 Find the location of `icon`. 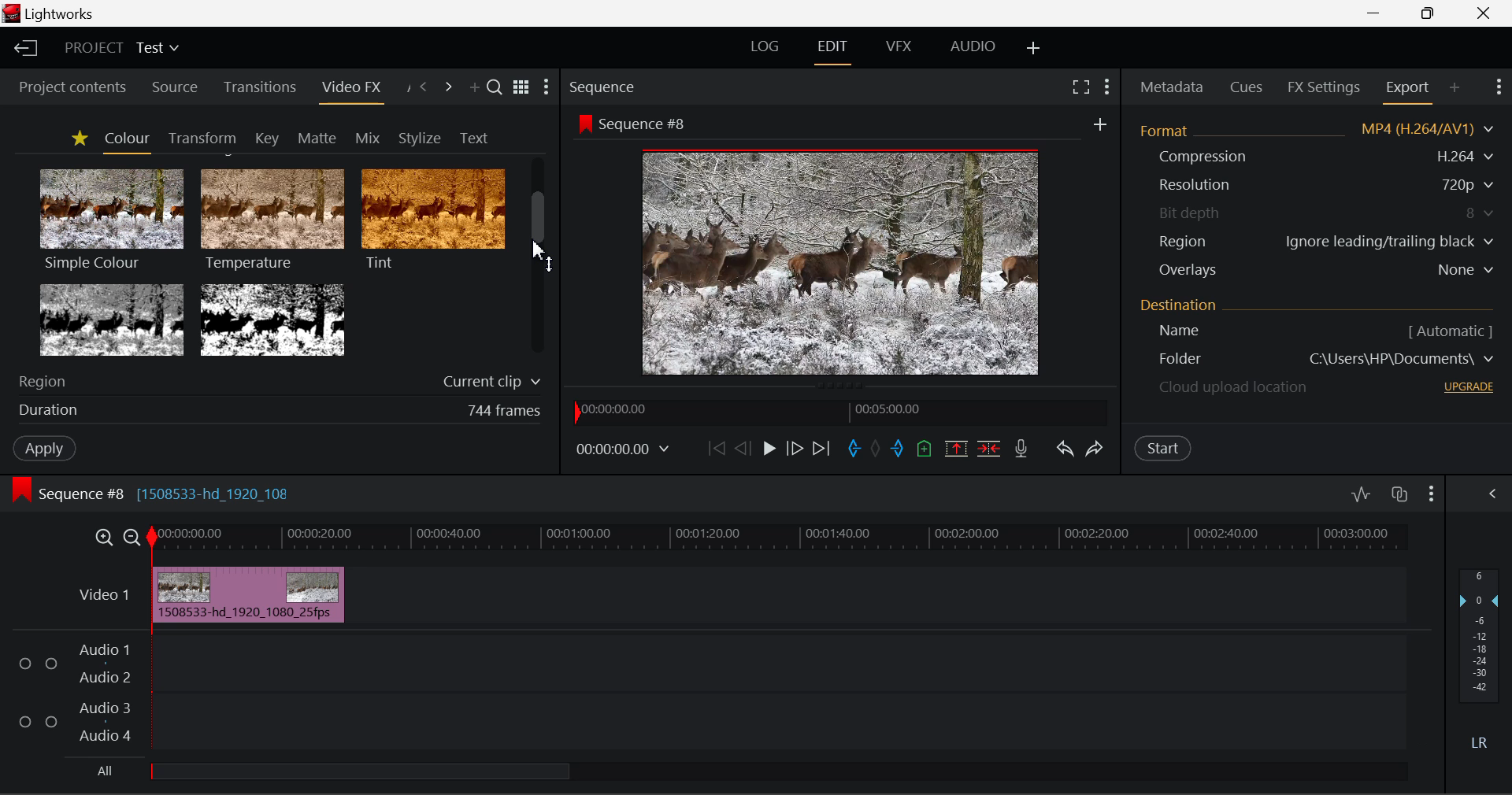

icon is located at coordinates (584, 124).